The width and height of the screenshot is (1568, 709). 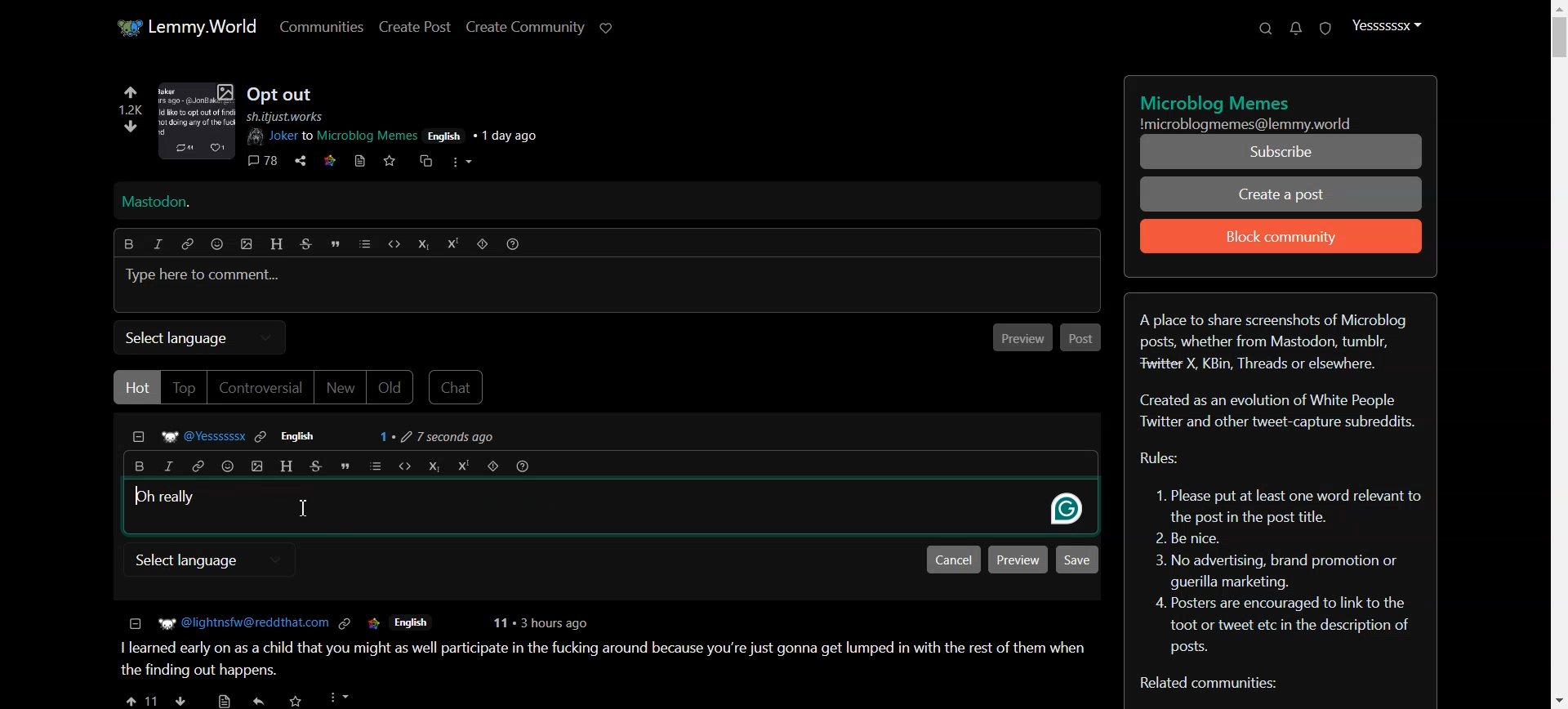 What do you see at coordinates (492, 467) in the screenshot?
I see `Spoiler` at bounding box center [492, 467].